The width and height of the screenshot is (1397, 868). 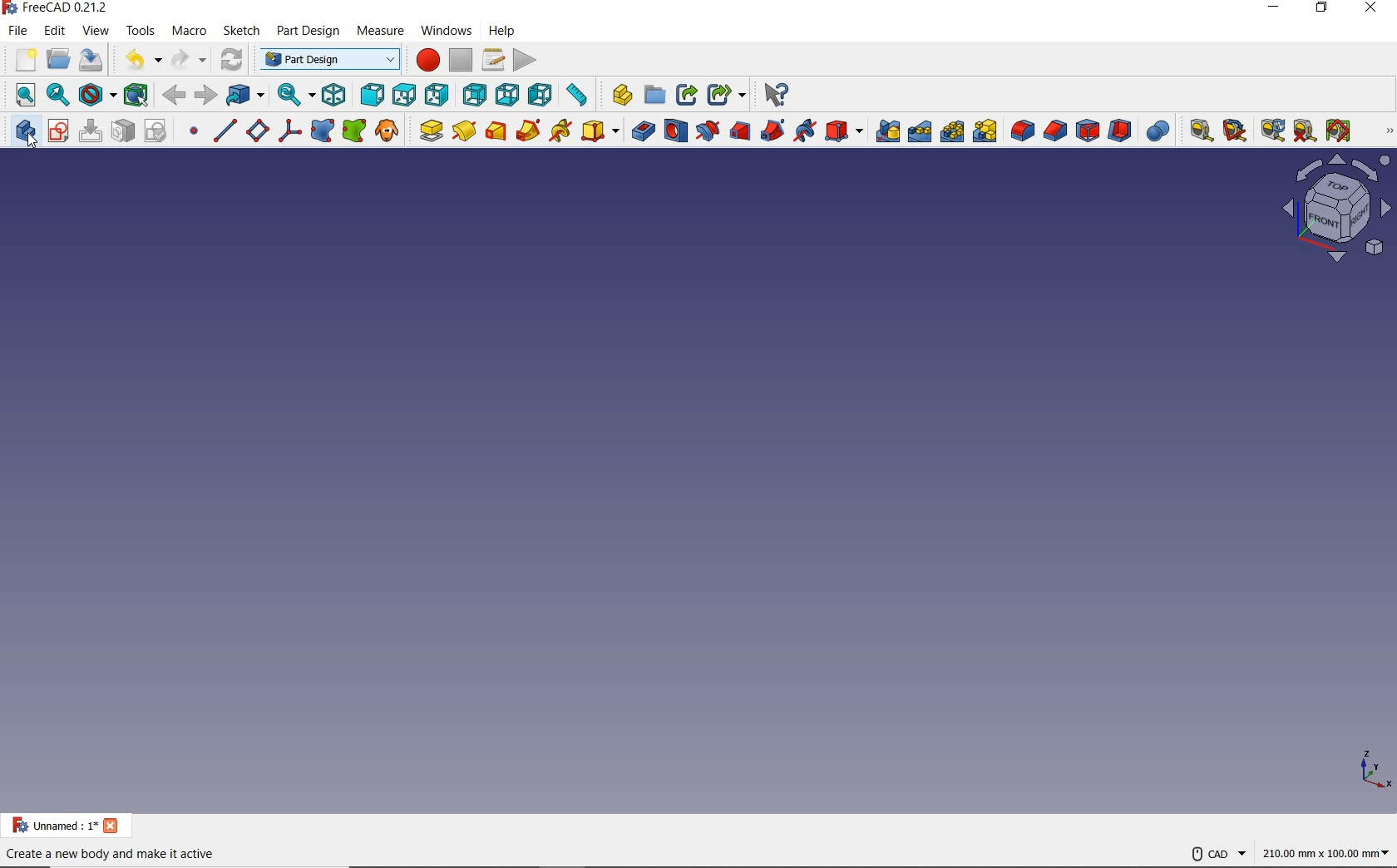 I want to click on undo, so click(x=140, y=57).